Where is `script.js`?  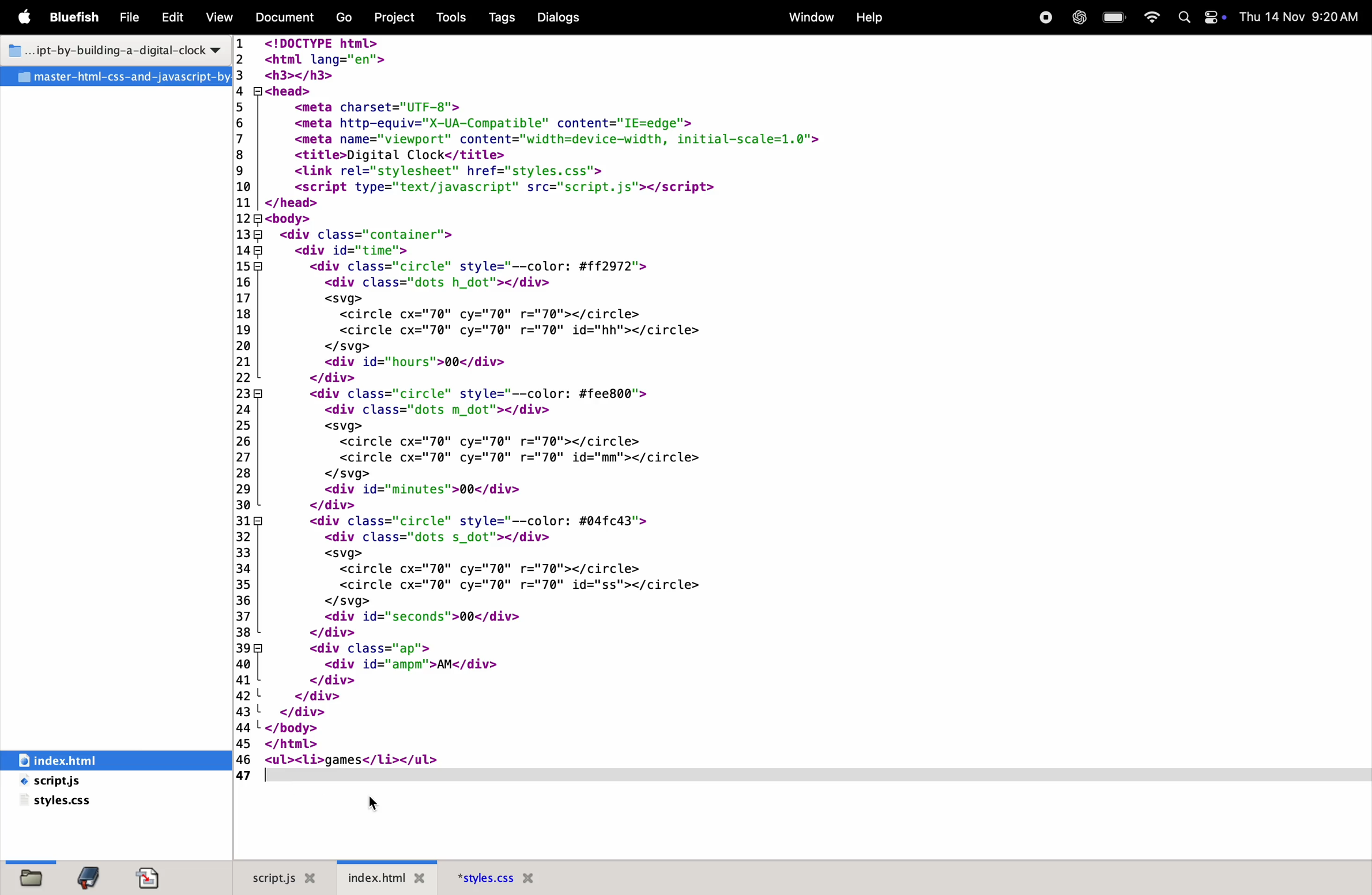
script.js is located at coordinates (281, 877).